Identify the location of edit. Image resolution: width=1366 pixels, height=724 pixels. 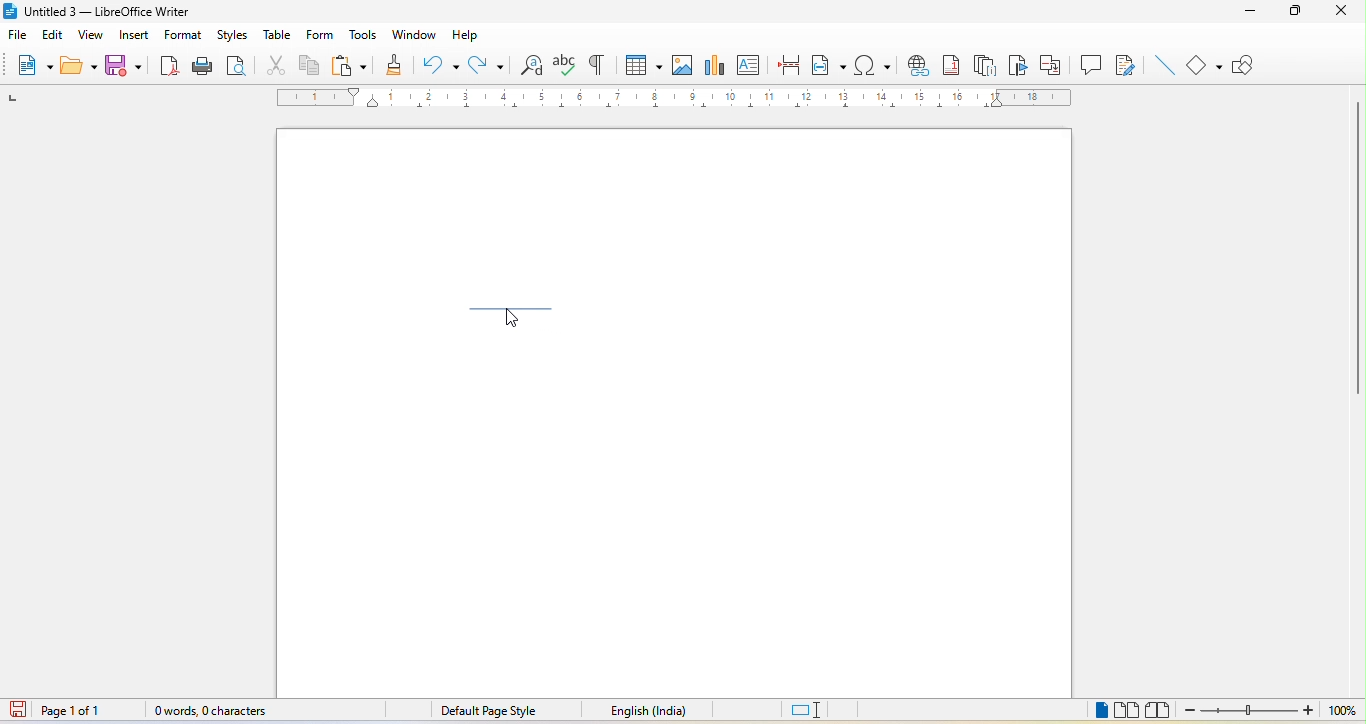
(53, 36).